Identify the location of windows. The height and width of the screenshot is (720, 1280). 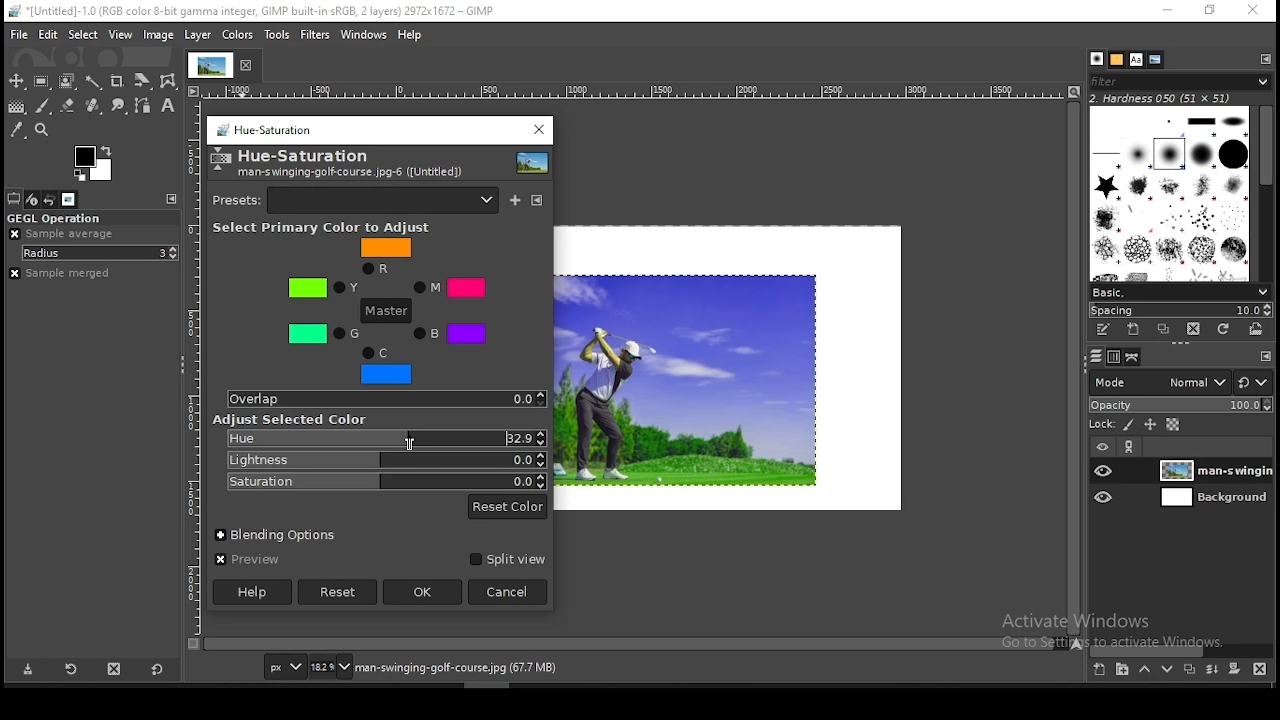
(364, 35).